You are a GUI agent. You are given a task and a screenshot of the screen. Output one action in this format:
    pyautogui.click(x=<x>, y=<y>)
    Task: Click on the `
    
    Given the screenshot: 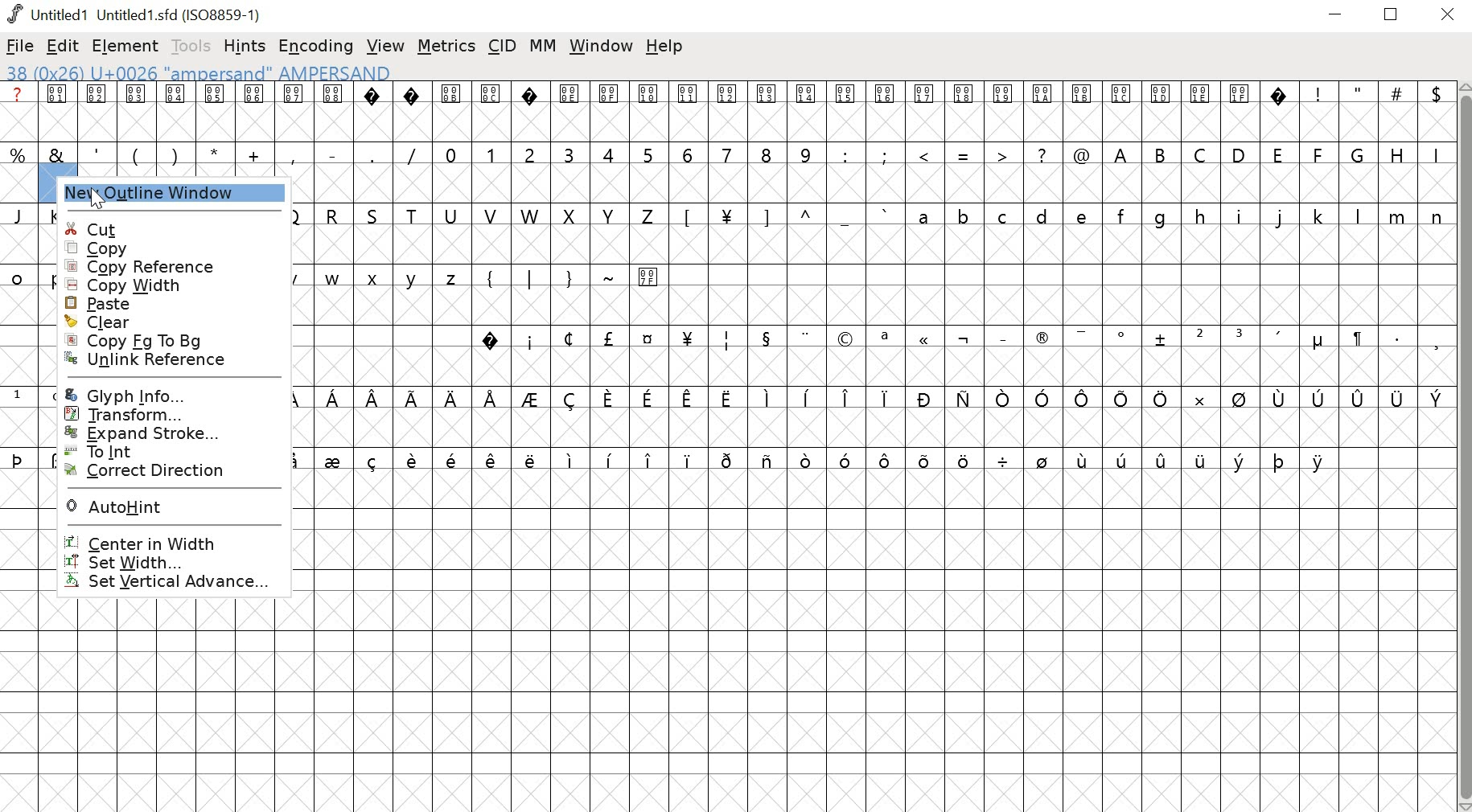 What is the action you would take?
    pyautogui.click(x=886, y=215)
    